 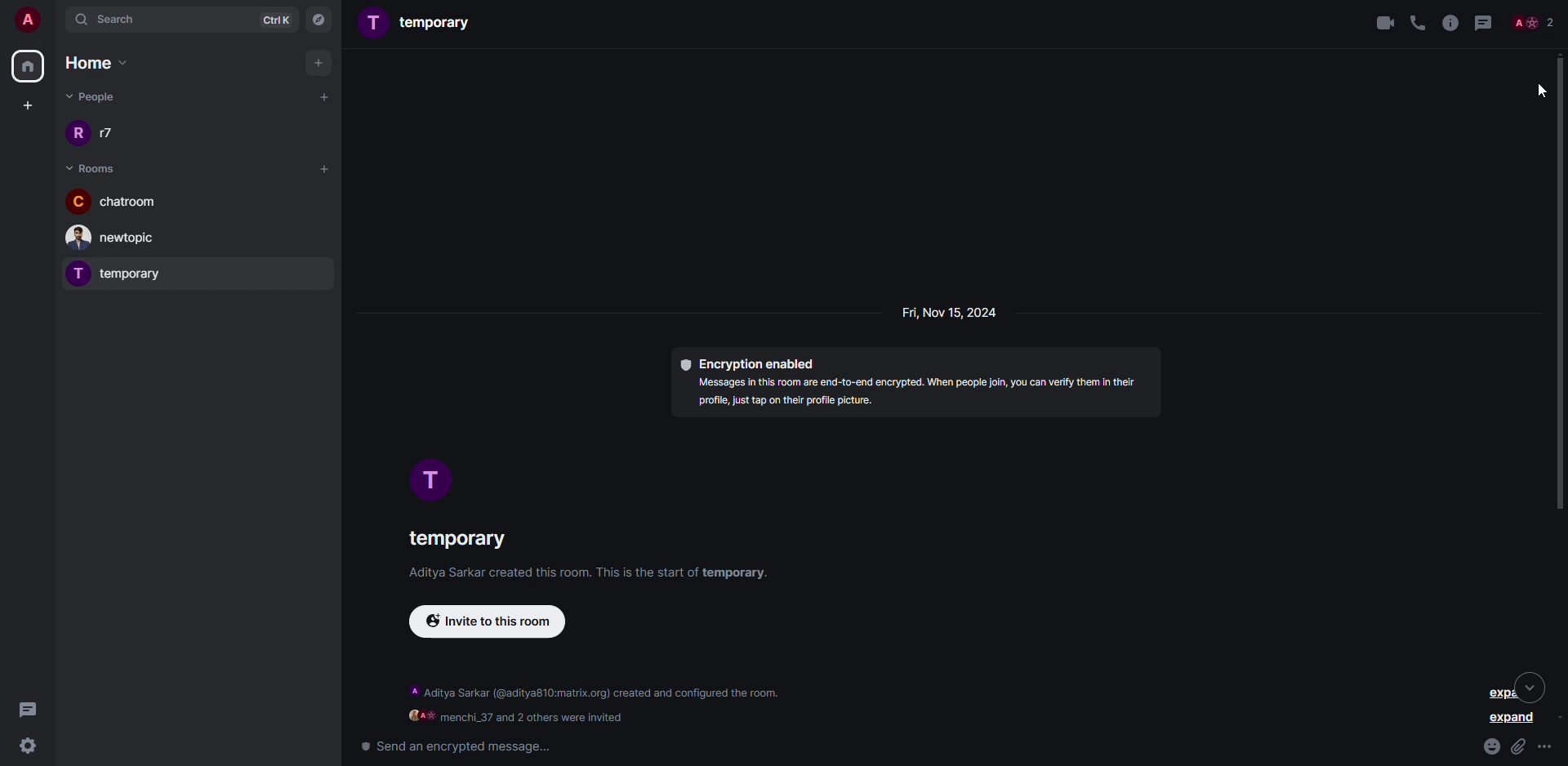 I want to click on home, so click(x=100, y=62).